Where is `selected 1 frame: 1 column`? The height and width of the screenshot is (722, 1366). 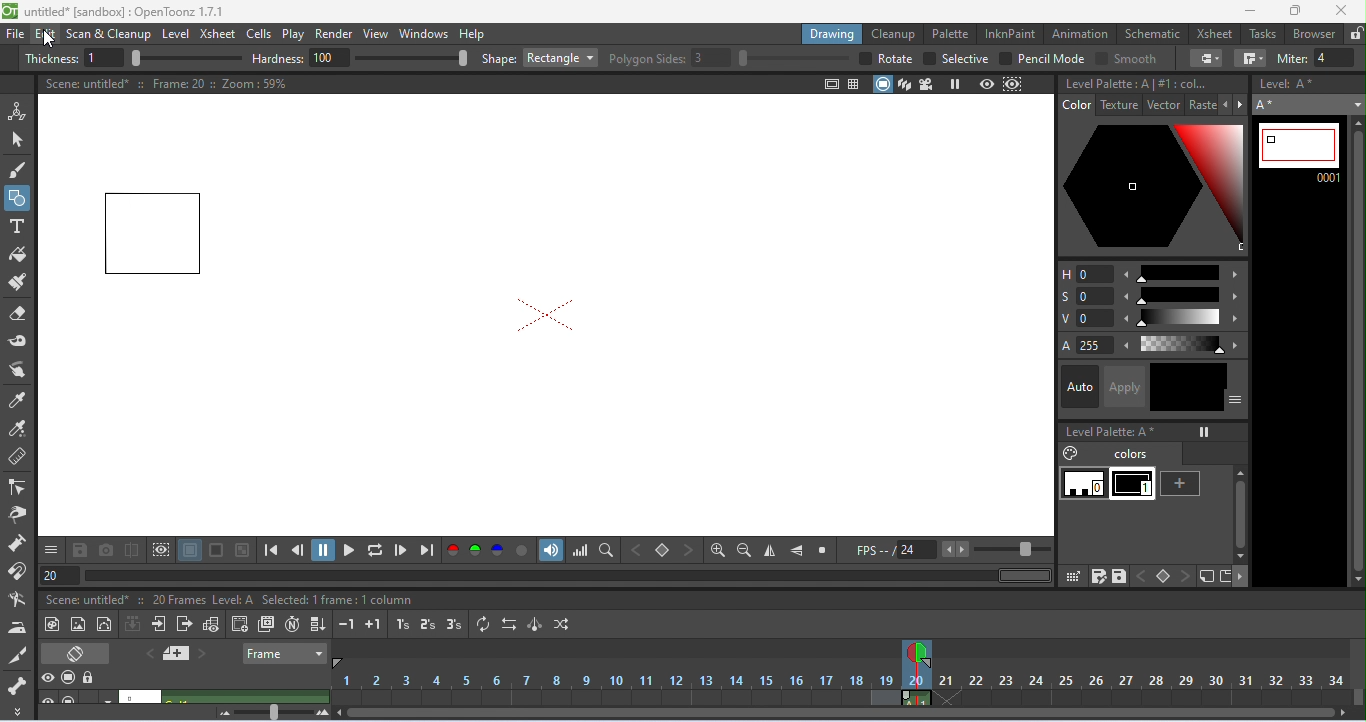 selected 1 frame: 1 column is located at coordinates (339, 599).